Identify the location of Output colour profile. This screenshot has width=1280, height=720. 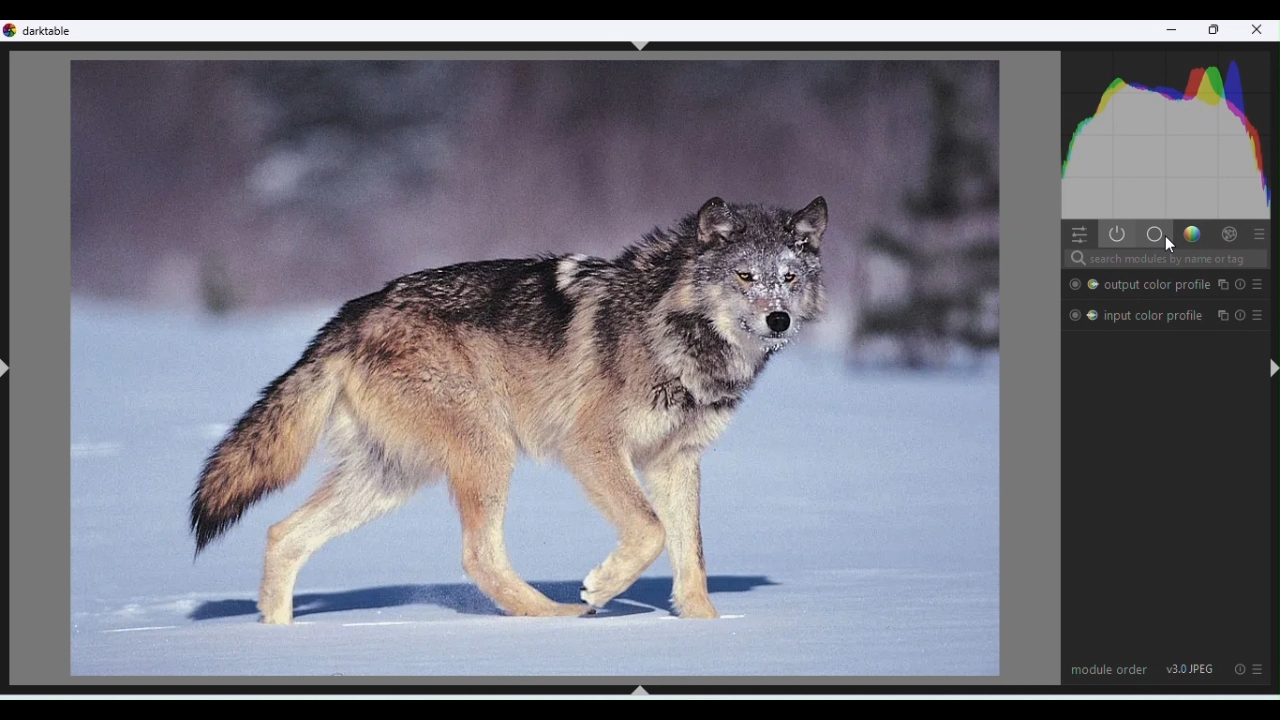
(1177, 284).